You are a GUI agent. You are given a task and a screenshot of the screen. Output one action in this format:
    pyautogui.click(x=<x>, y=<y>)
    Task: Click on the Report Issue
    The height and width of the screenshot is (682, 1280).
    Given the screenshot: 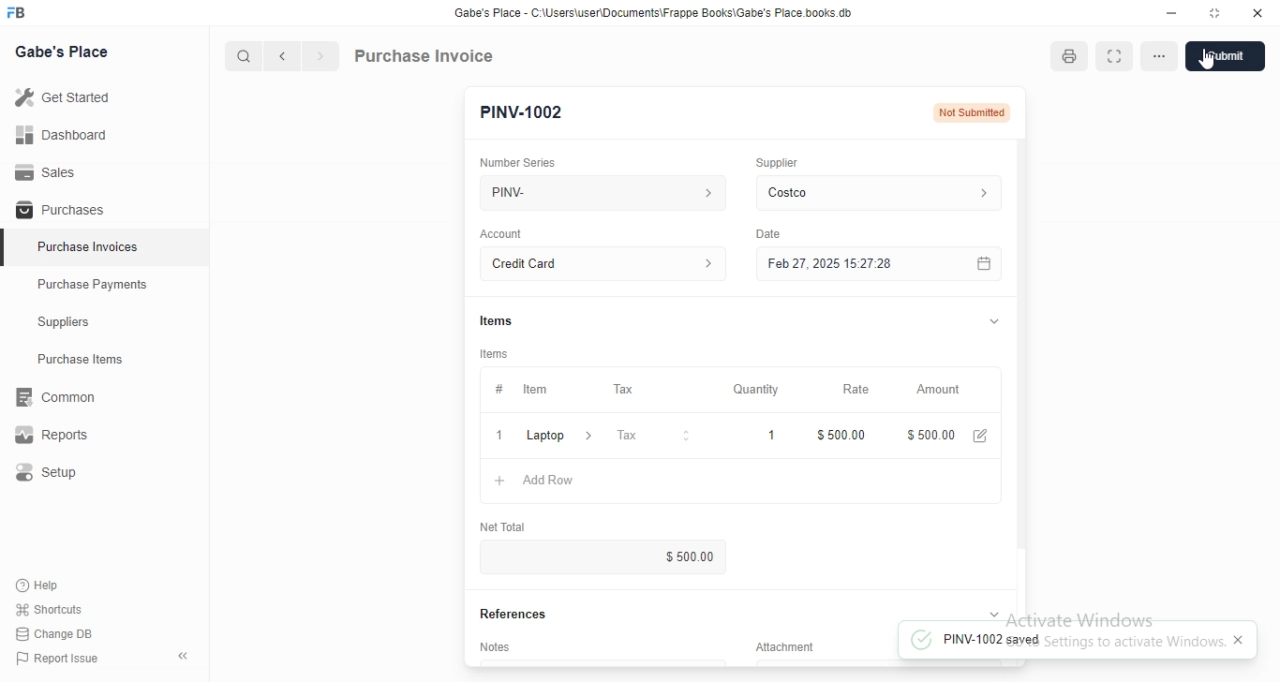 What is the action you would take?
    pyautogui.click(x=58, y=658)
    